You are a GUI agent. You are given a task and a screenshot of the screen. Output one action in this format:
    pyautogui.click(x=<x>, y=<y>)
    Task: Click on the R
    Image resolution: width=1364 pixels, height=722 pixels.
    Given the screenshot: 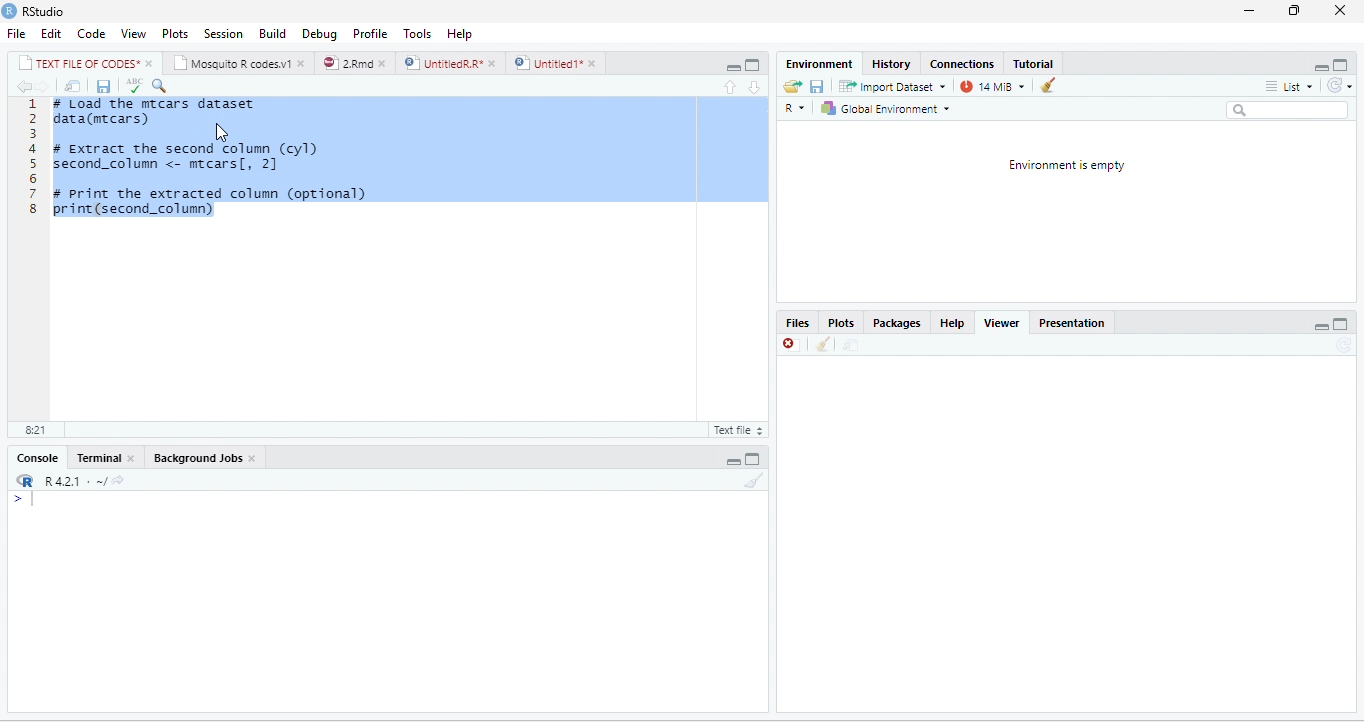 What is the action you would take?
    pyautogui.click(x=798, y=108)
    